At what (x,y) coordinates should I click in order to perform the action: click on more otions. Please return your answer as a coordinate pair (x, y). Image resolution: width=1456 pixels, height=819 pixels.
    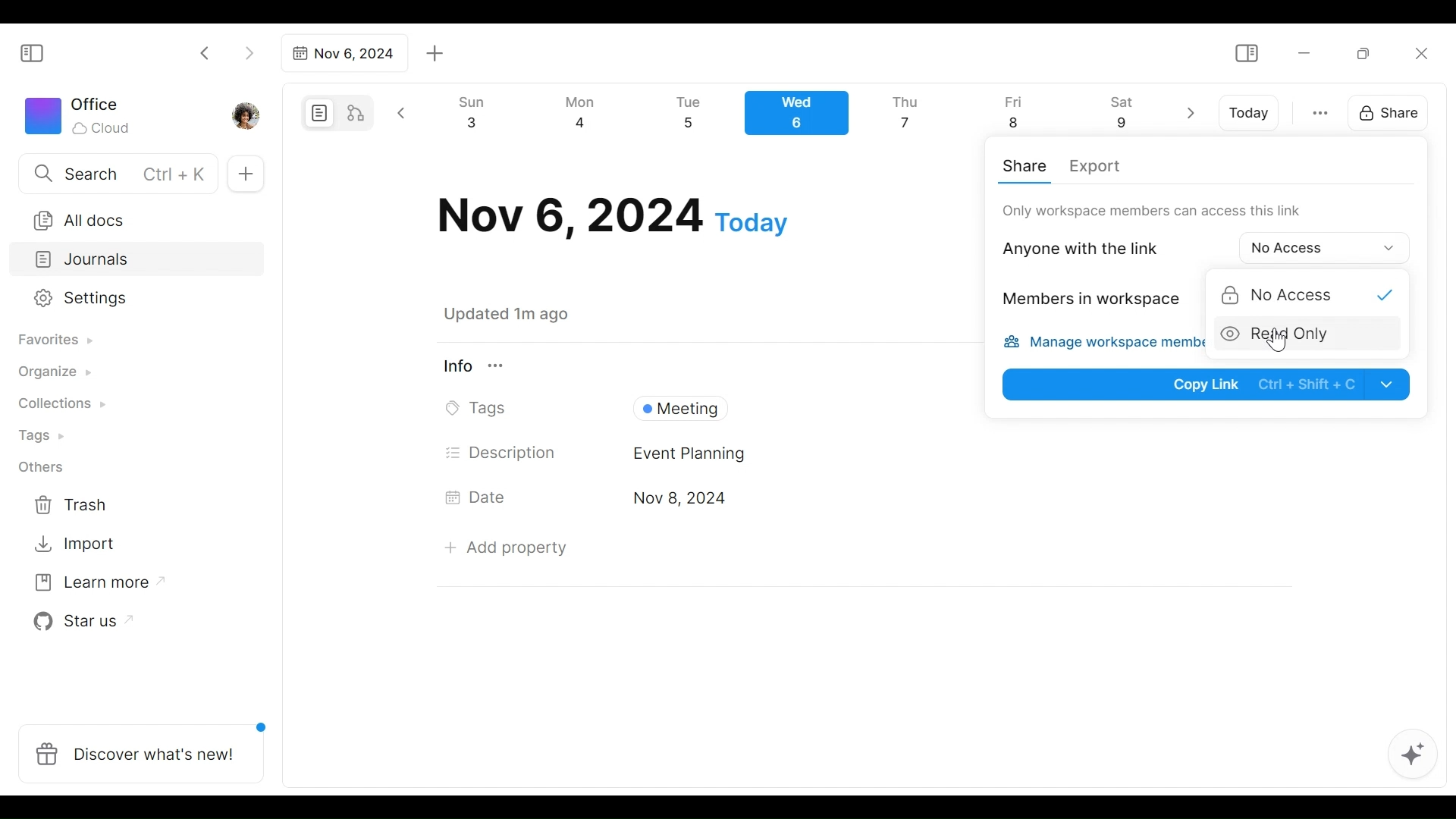
    Looking at the image, I should click on (1320, 111).